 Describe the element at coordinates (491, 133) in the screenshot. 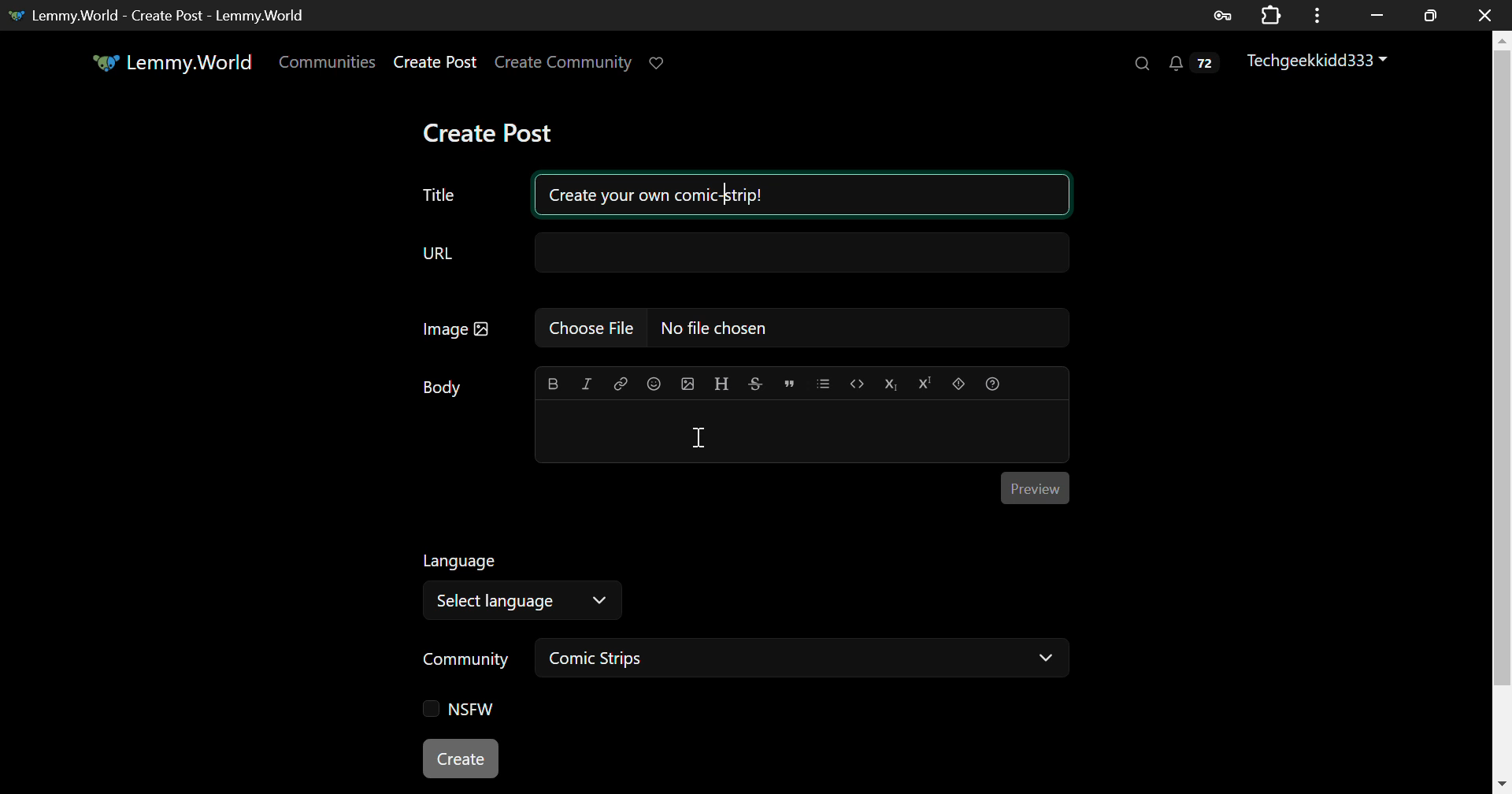

I see `Create Post` at that location.